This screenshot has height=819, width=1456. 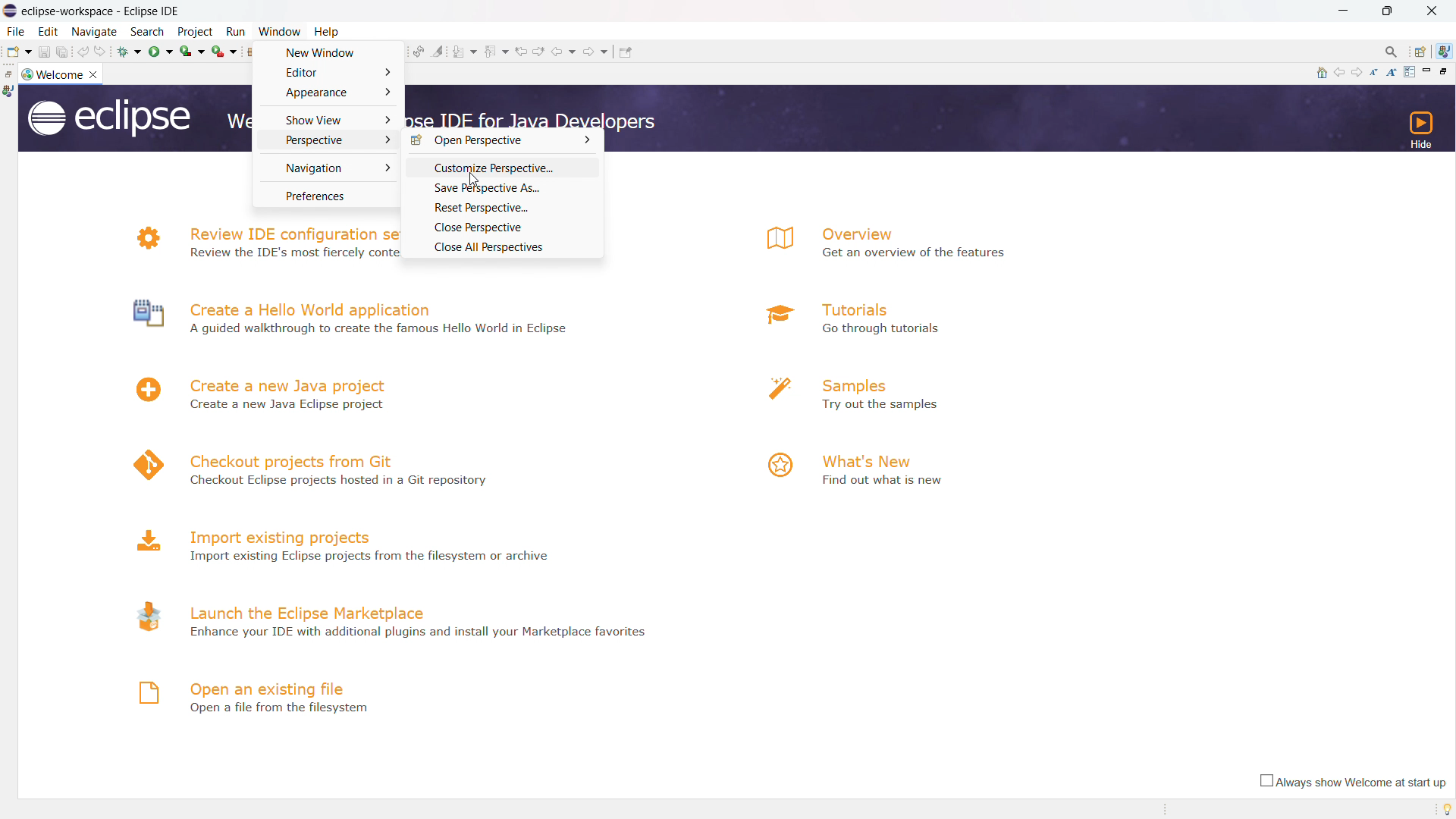 What do you see at coordinates (196, 31) in the screenshot?
I see `project` at bounding box center [196, 31].